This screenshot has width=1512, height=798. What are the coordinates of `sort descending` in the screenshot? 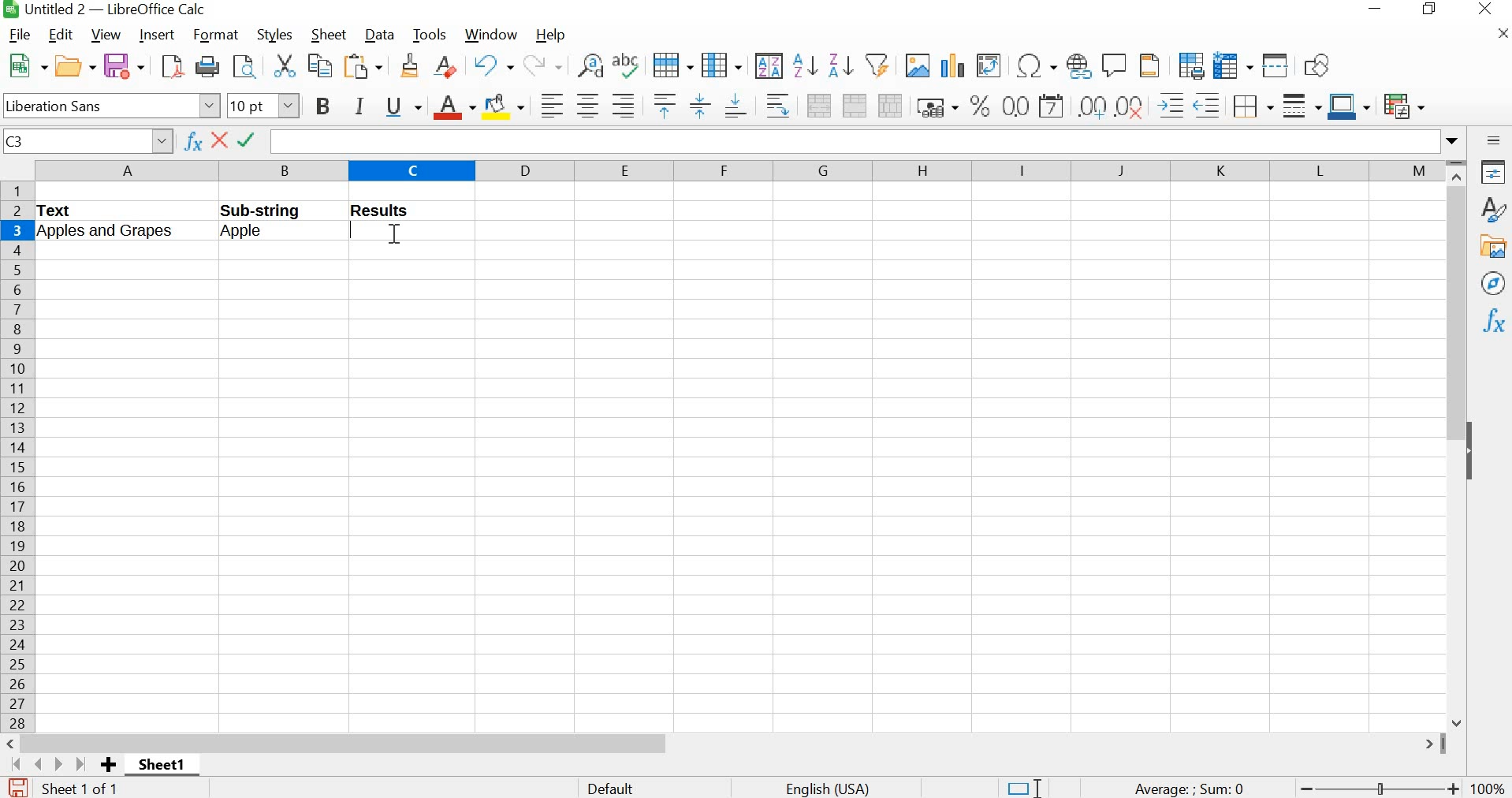 It's located at (840, 65).